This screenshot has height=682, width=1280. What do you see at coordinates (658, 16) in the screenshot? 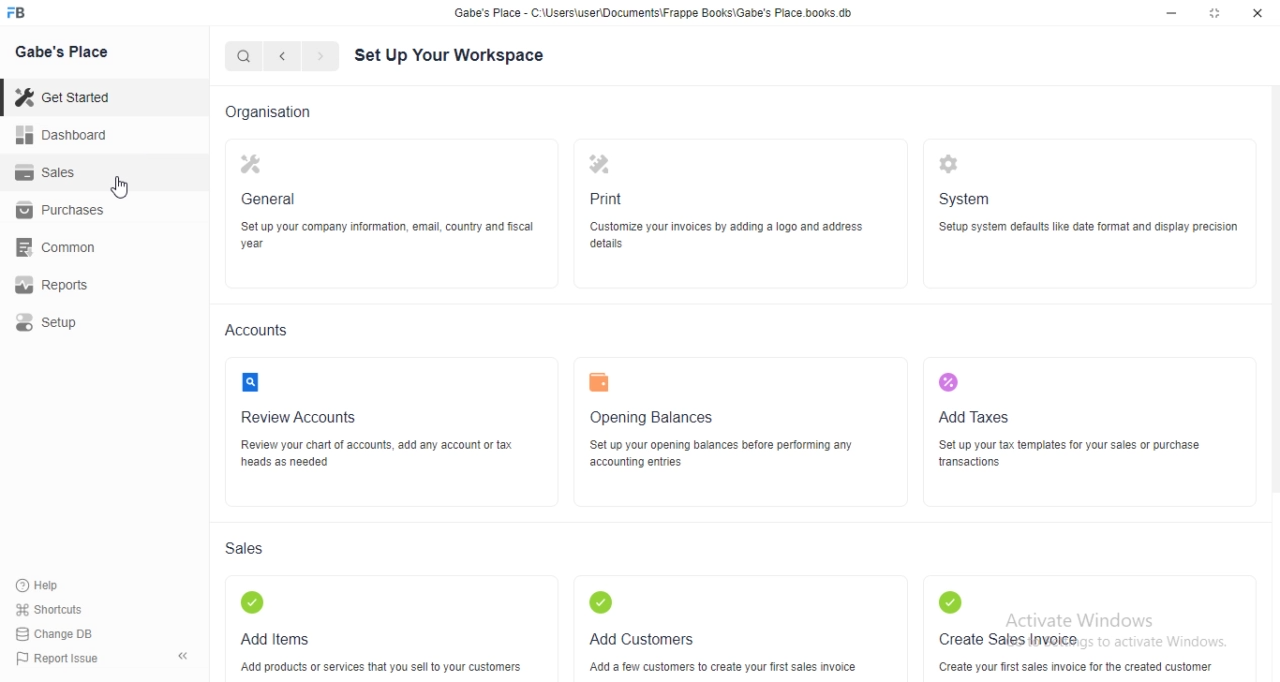
I see `Gabe's Place - C \Wsers\usenDocuments\Frappe Books\Gabe's Place books db` at bounding box center [658, 16].